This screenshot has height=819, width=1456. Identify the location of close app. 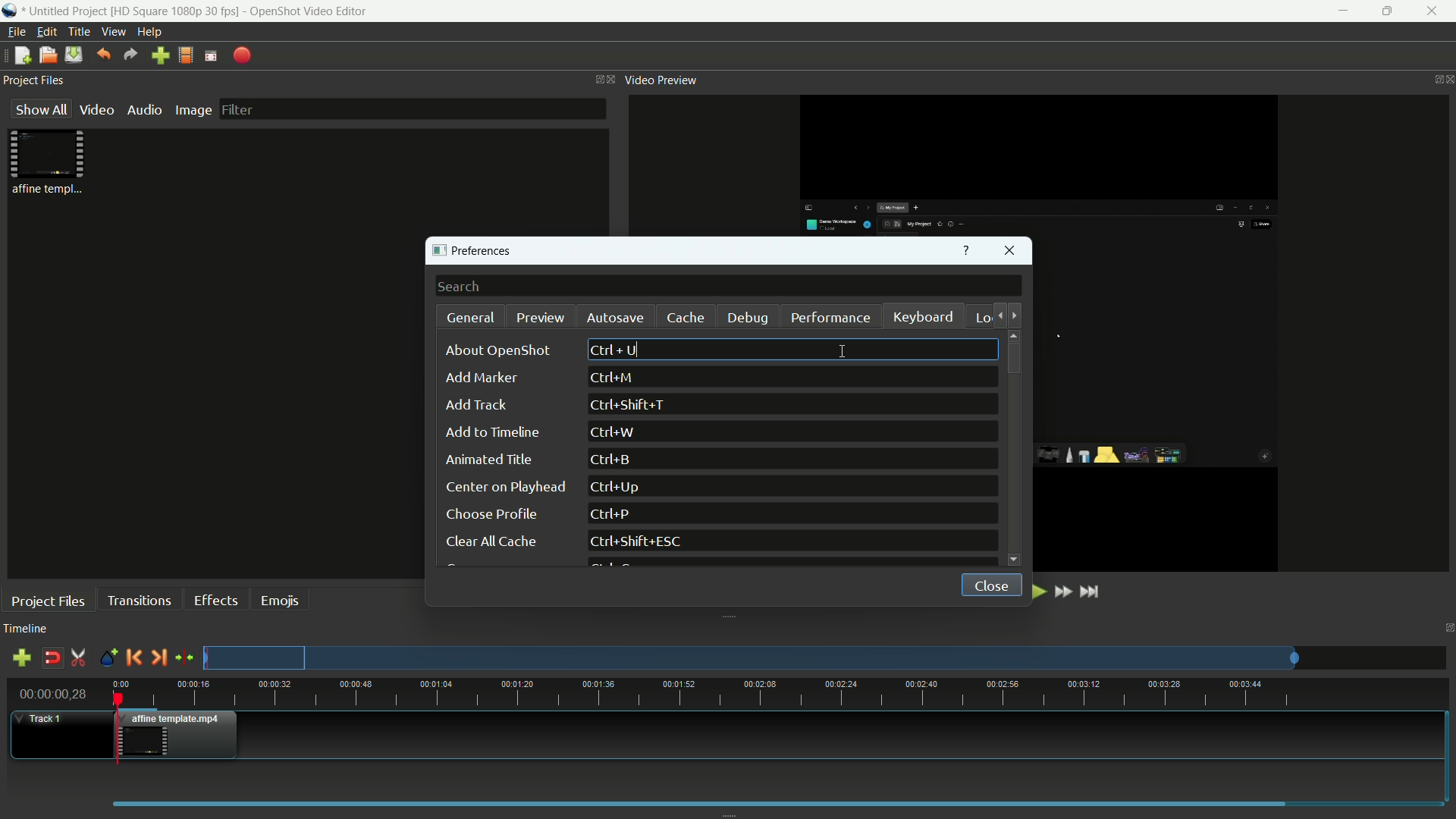
(1435, 11).